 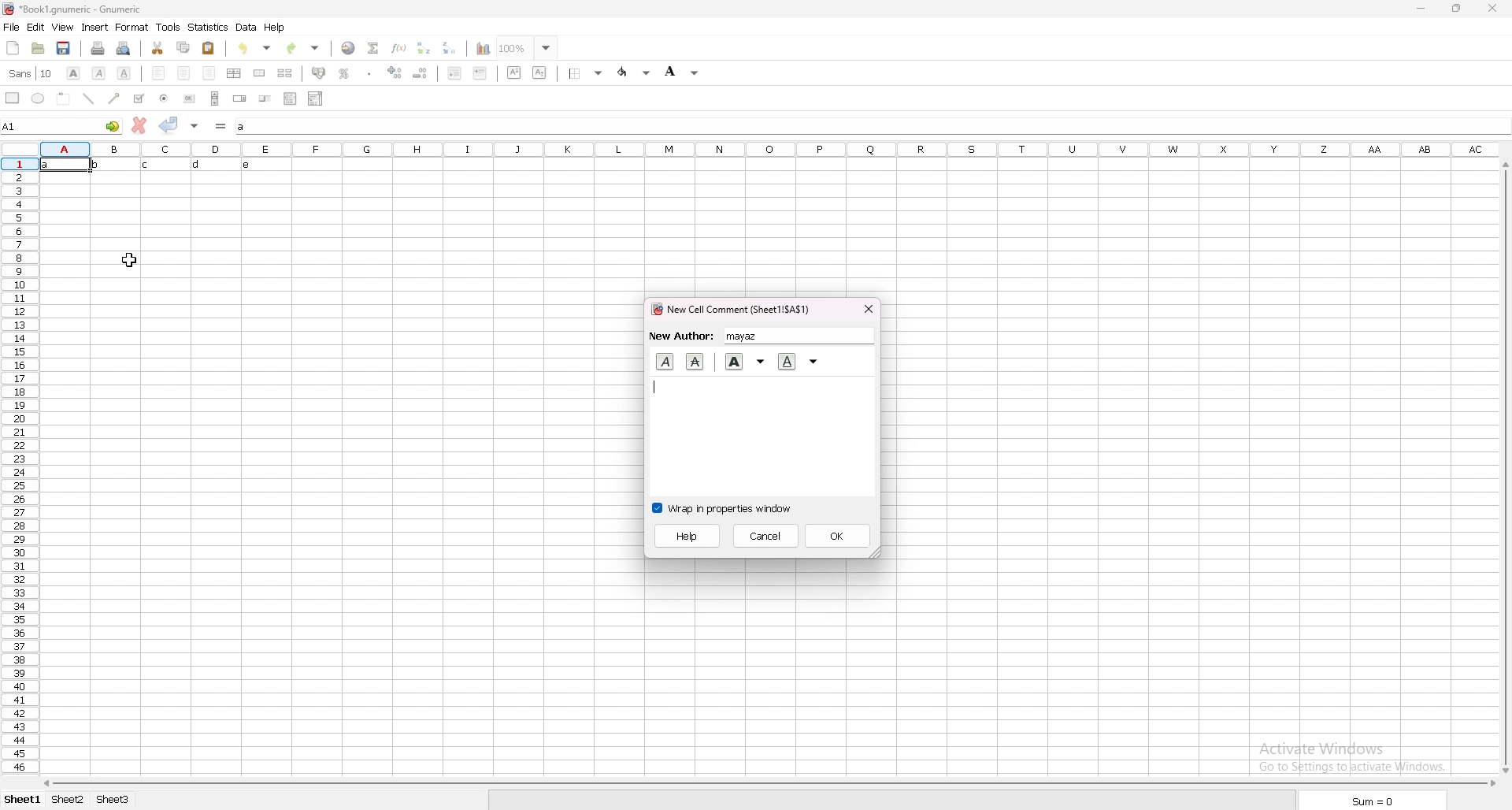 I want to click on file name, so click(x=73, y=9).